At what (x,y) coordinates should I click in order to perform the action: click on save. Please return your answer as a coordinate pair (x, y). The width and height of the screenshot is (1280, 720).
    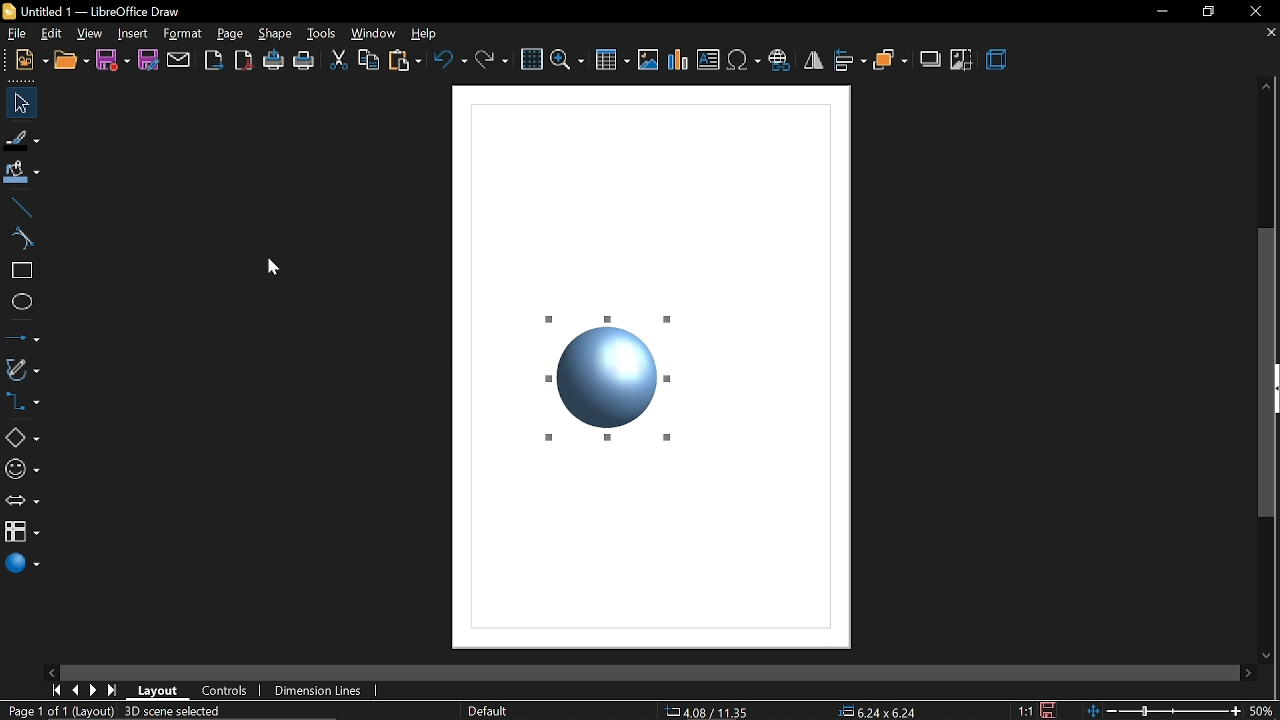
    Looking at the image, I should click on (1052, 709).